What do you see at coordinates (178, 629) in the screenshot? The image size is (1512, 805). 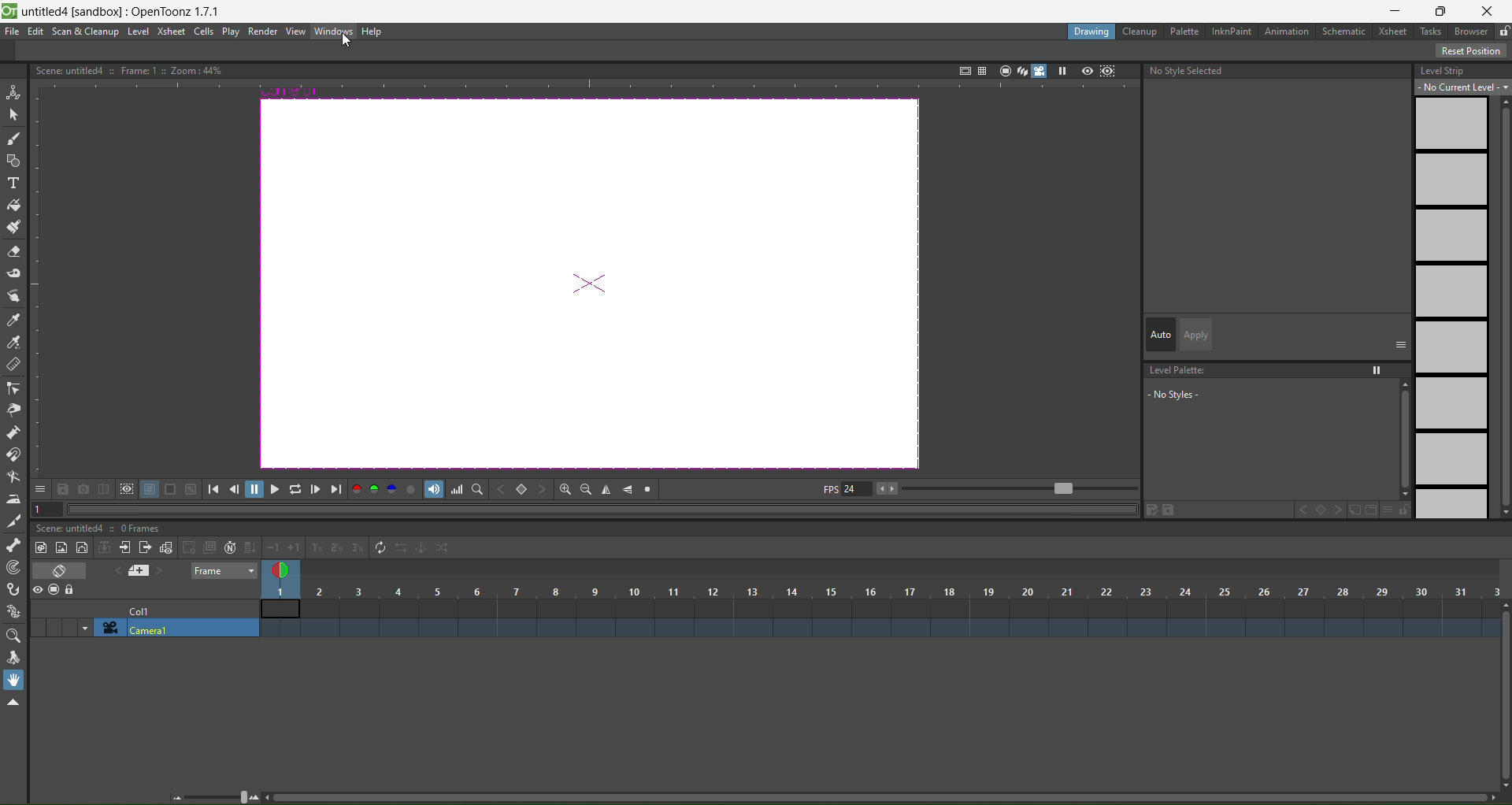 I see `camera1` at bounding box center [178, 629].